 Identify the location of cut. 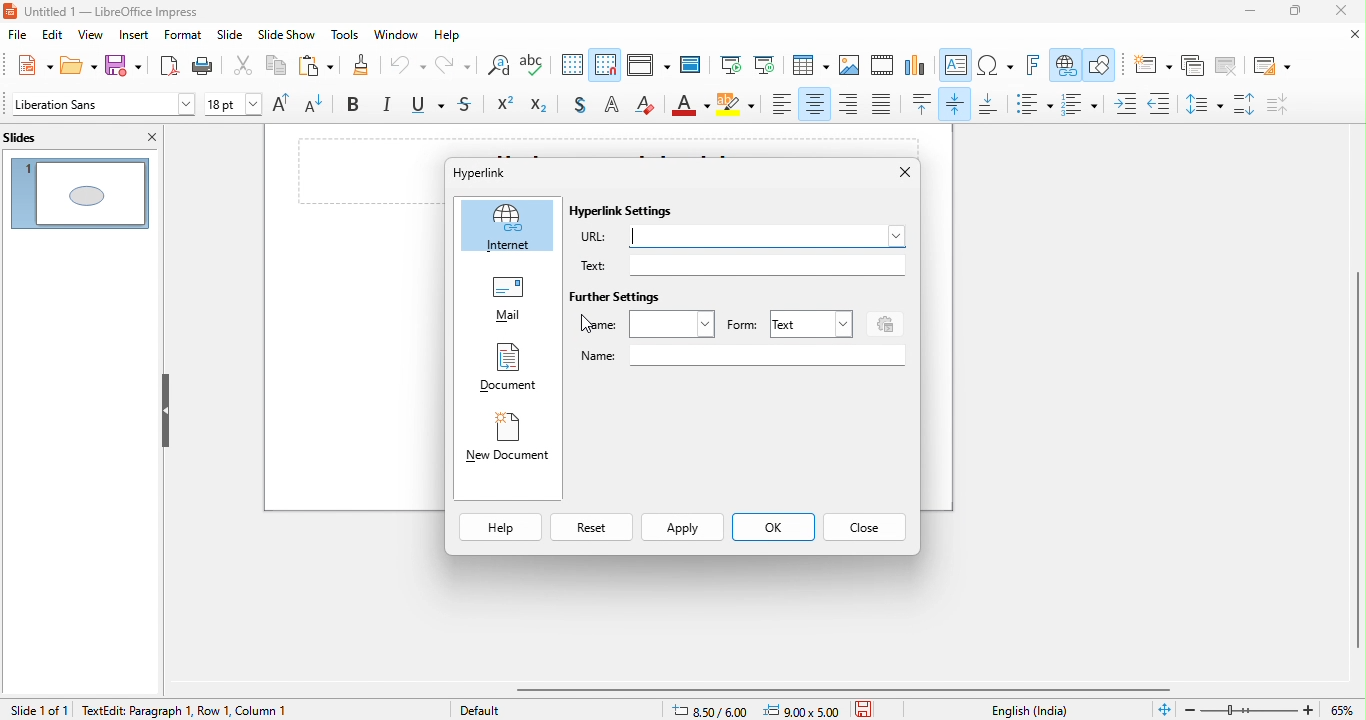
(244, 69).